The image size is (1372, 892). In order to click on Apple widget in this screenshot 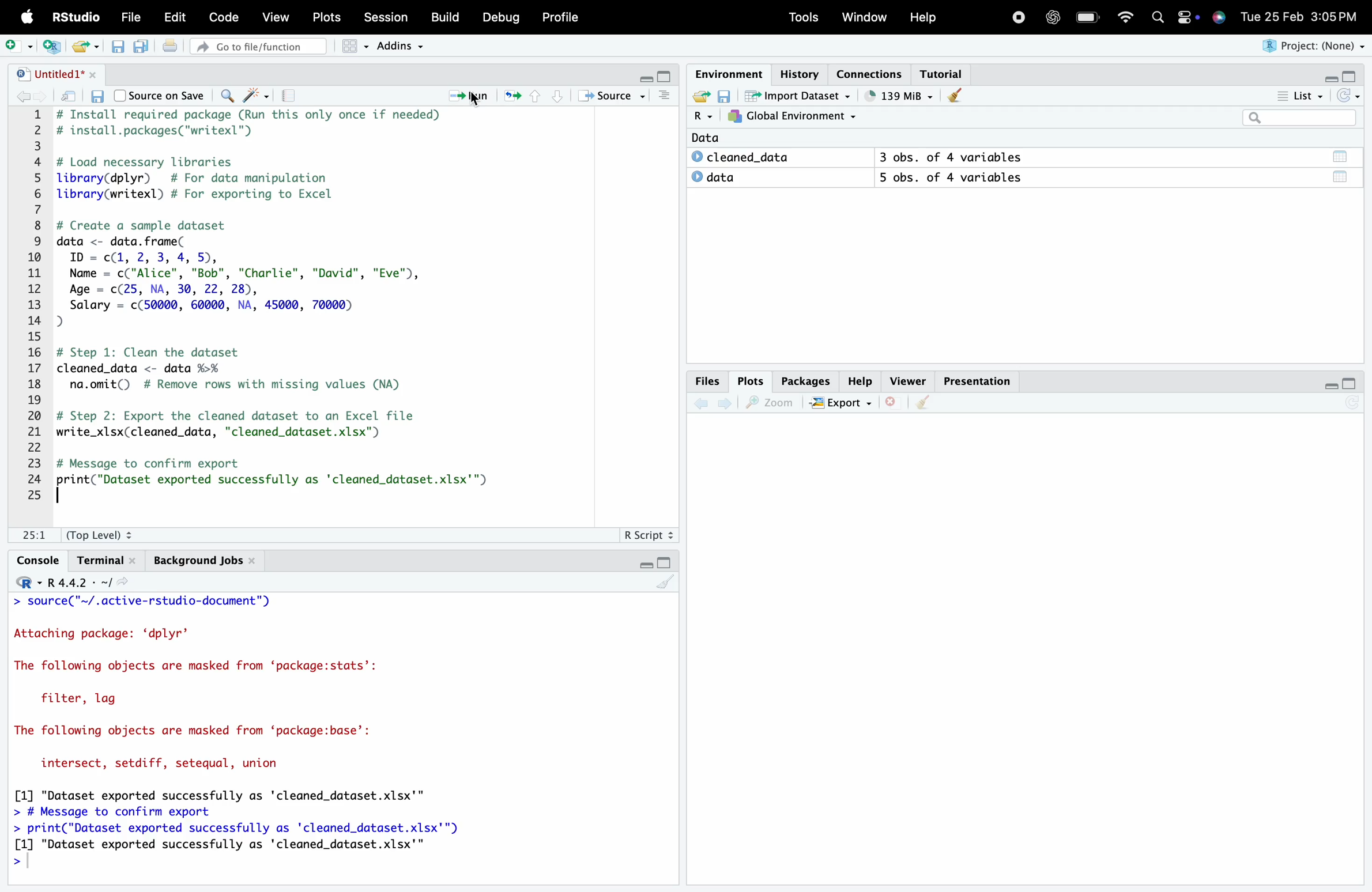, I will do `click(1188, 18)`.